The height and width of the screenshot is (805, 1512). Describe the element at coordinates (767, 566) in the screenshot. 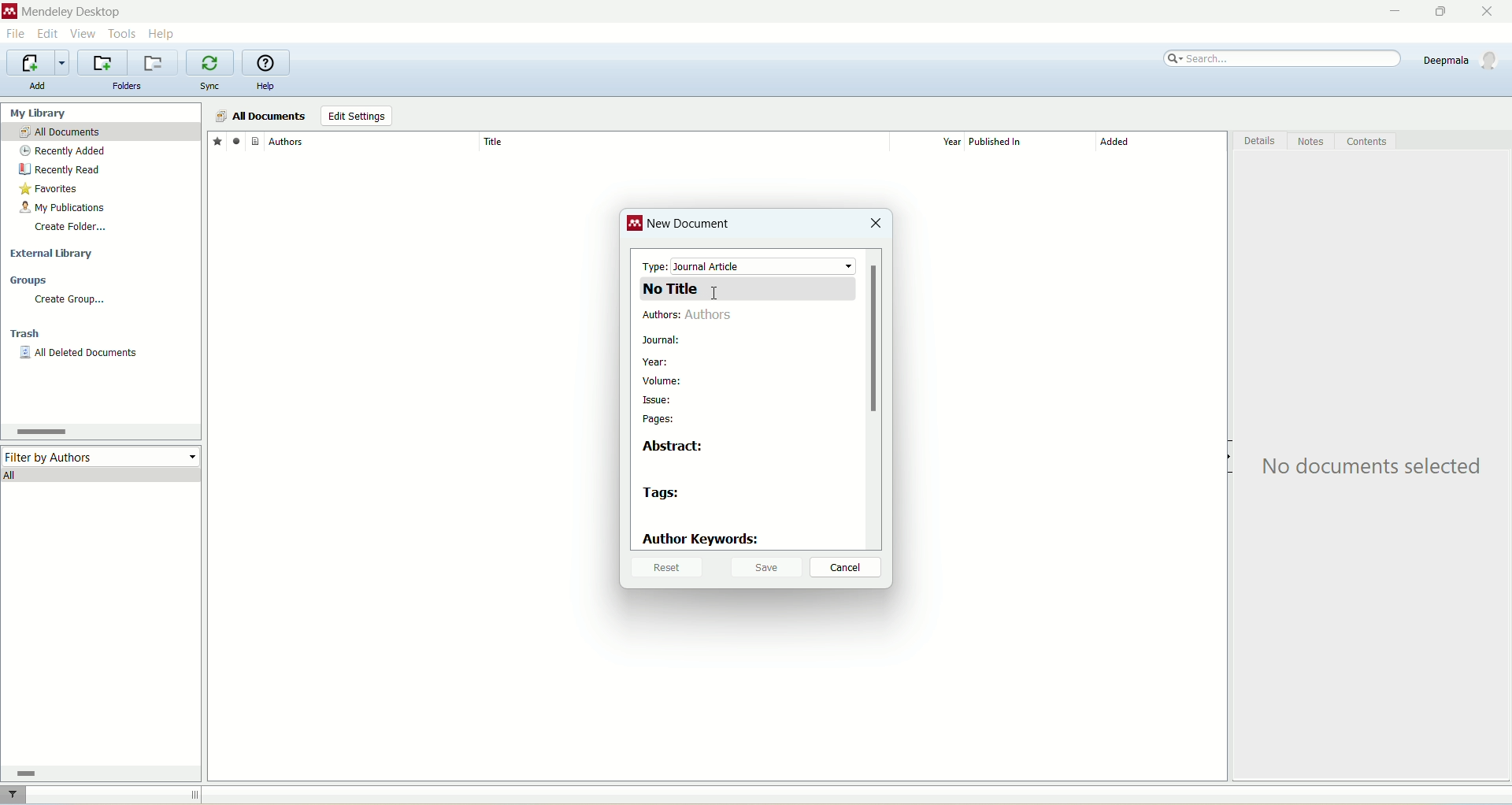

I see `save` at that location.